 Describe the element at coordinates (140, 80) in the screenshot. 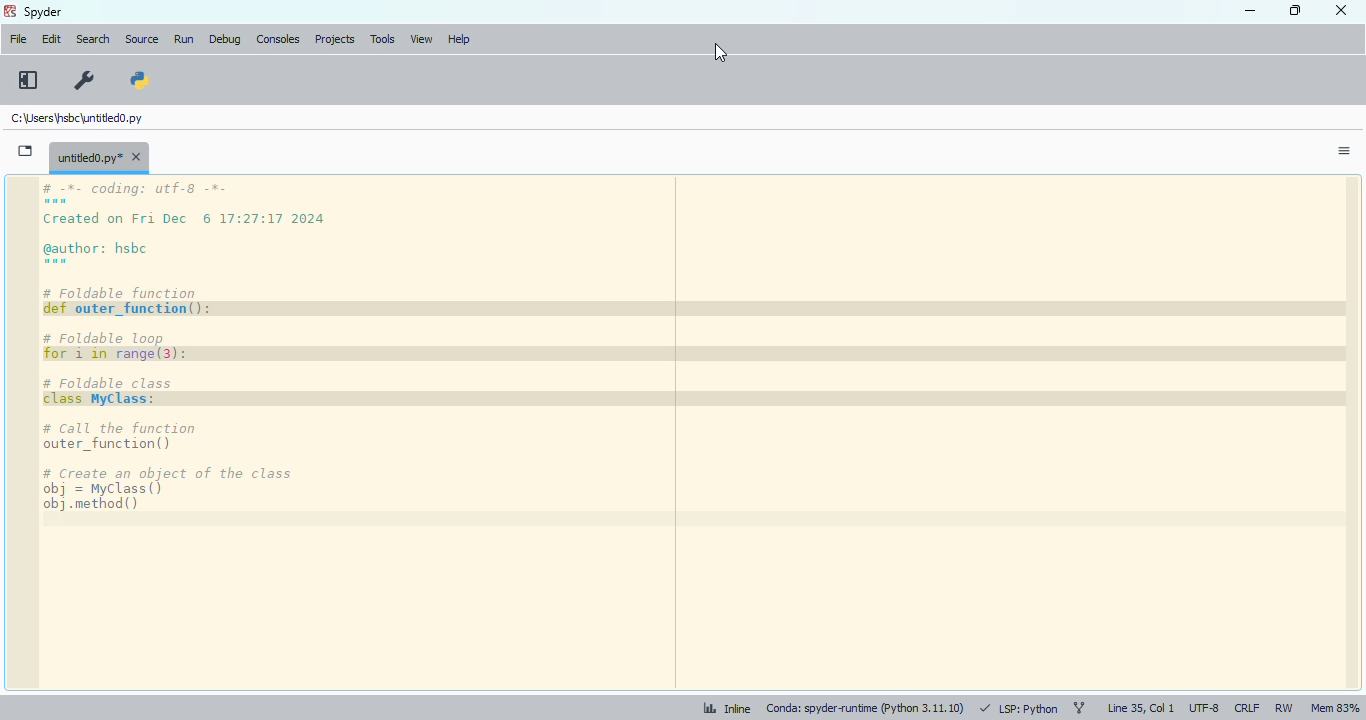

I see `PYTHONPATH manager` at that location.